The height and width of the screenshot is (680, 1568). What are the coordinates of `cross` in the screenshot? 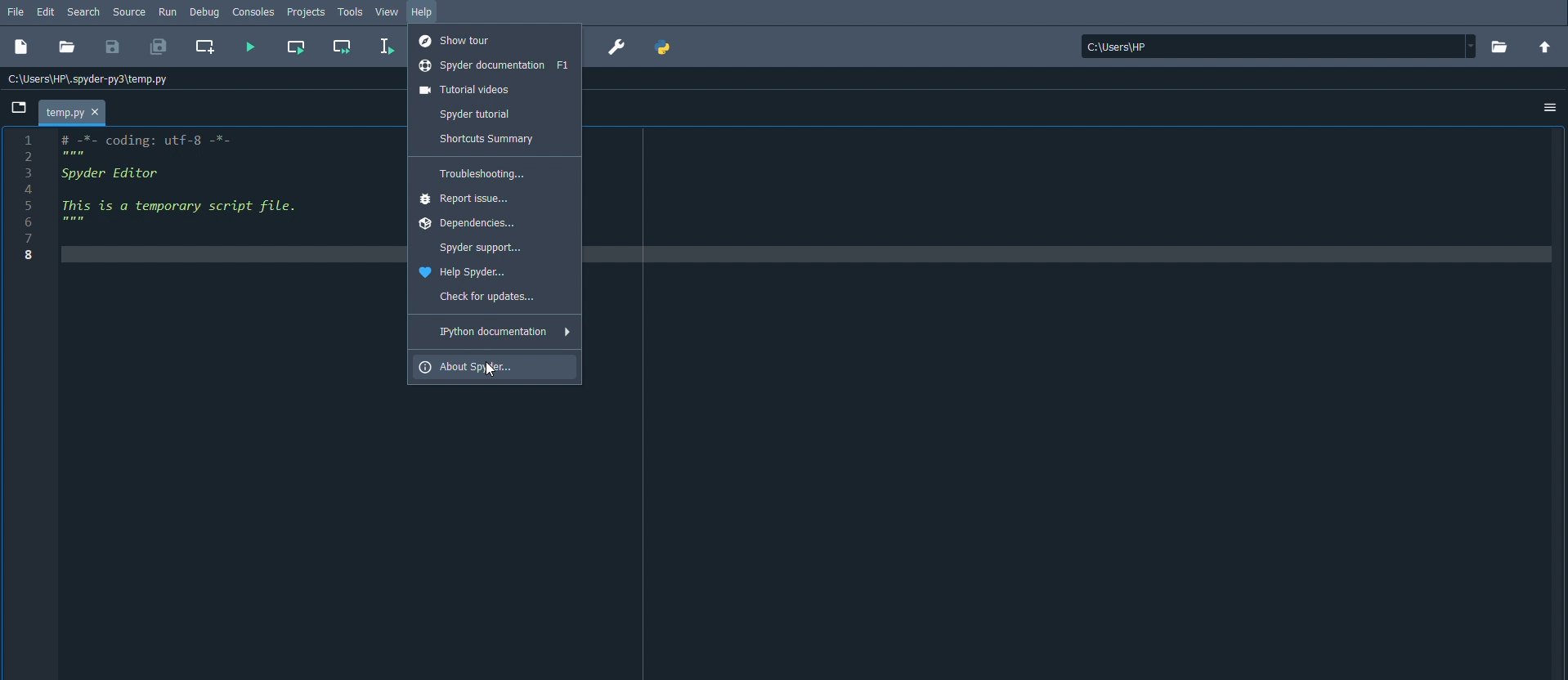 It's located at (95, 112).